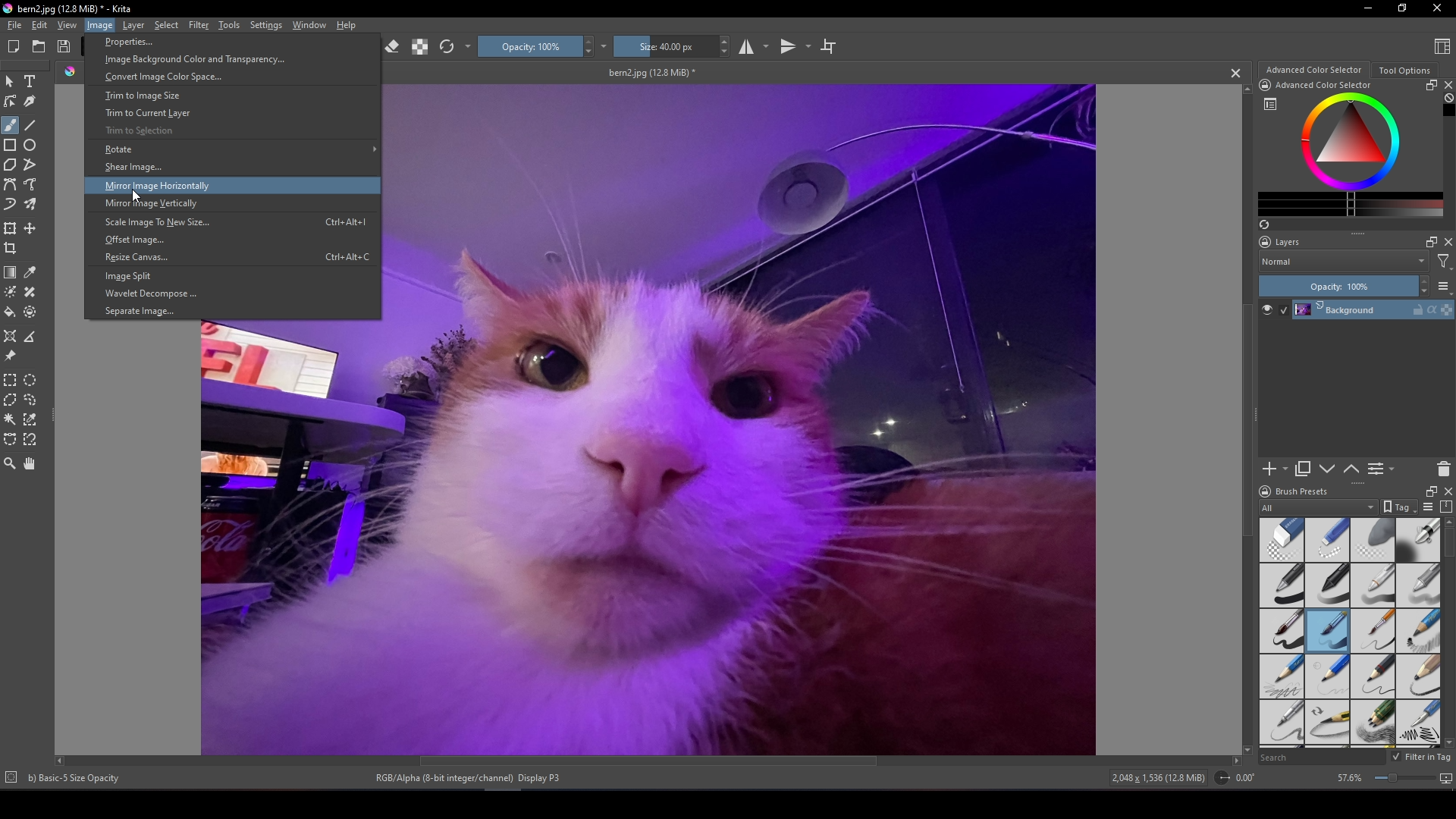  I want to click on Advanced color selector, so click(1314, 69).